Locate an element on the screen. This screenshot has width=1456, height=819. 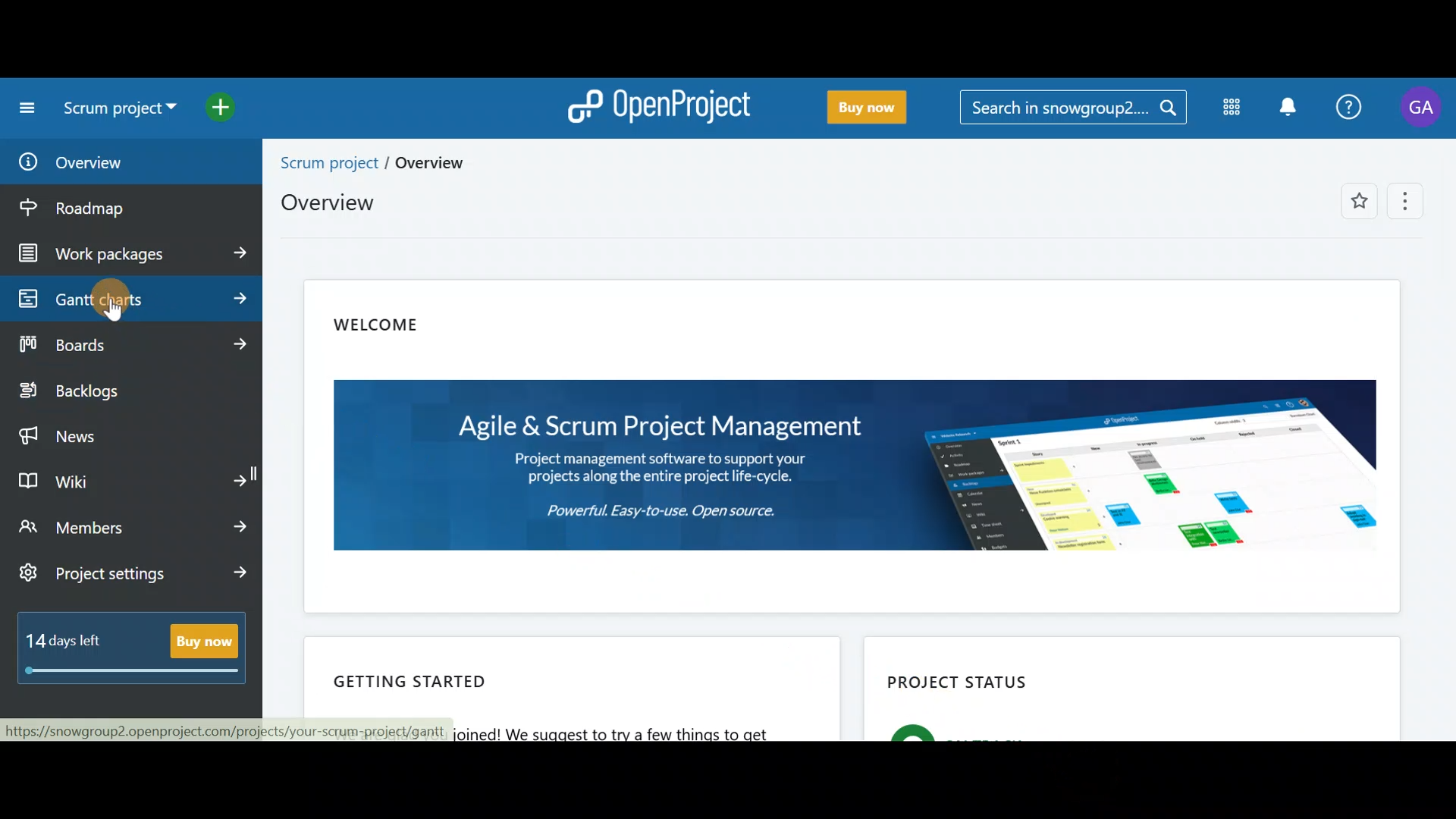
Work packages is located at coordinates (131, 253).